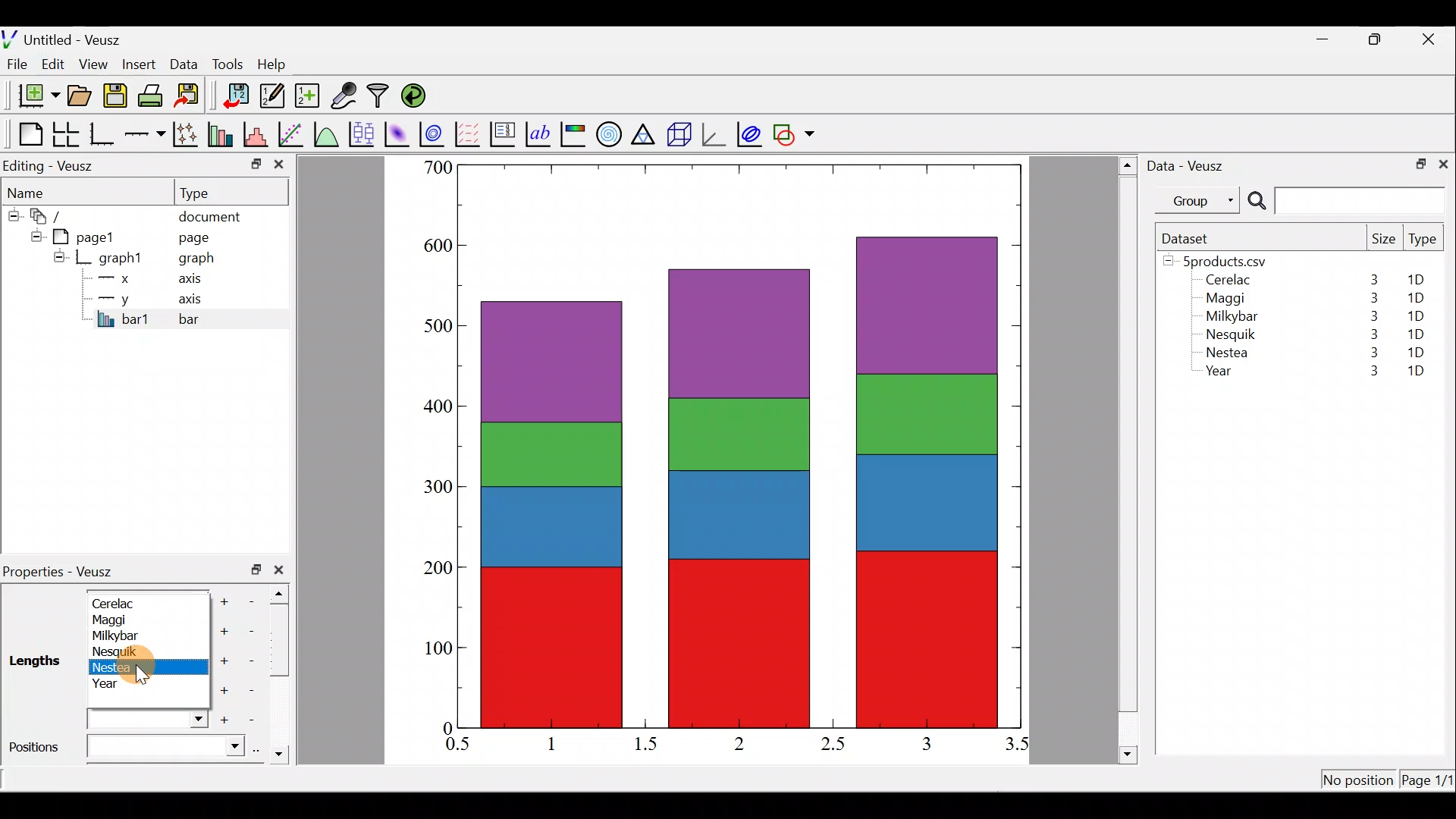 Image resolution: width=1456 pixels, height=819 pixels. What do you see at coordinates (1424, 243) in the screenshot?
I see `Type` at bounding box center [1424, 243].